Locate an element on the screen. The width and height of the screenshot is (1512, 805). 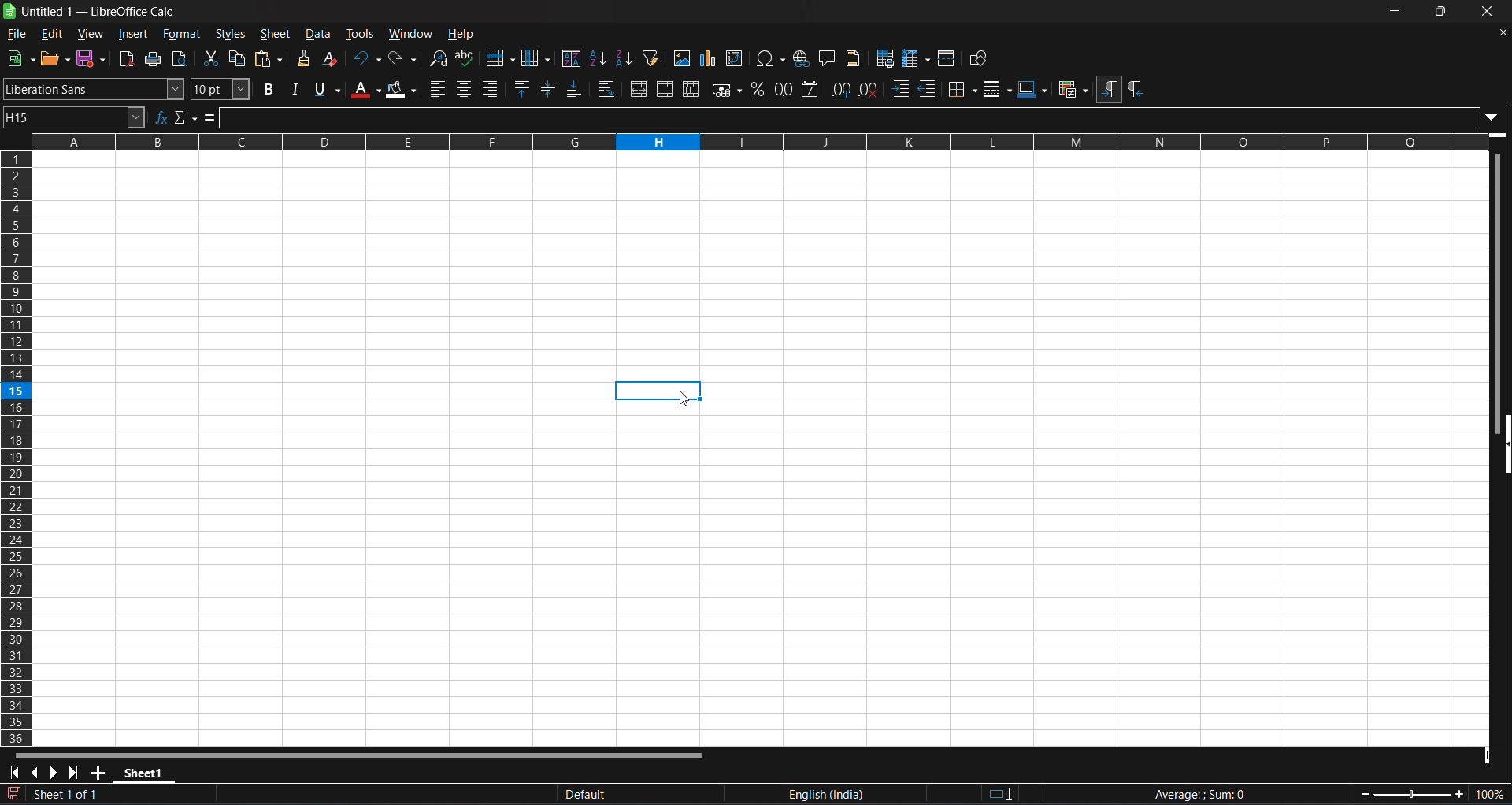
formula is located at coordinates (209, 117).